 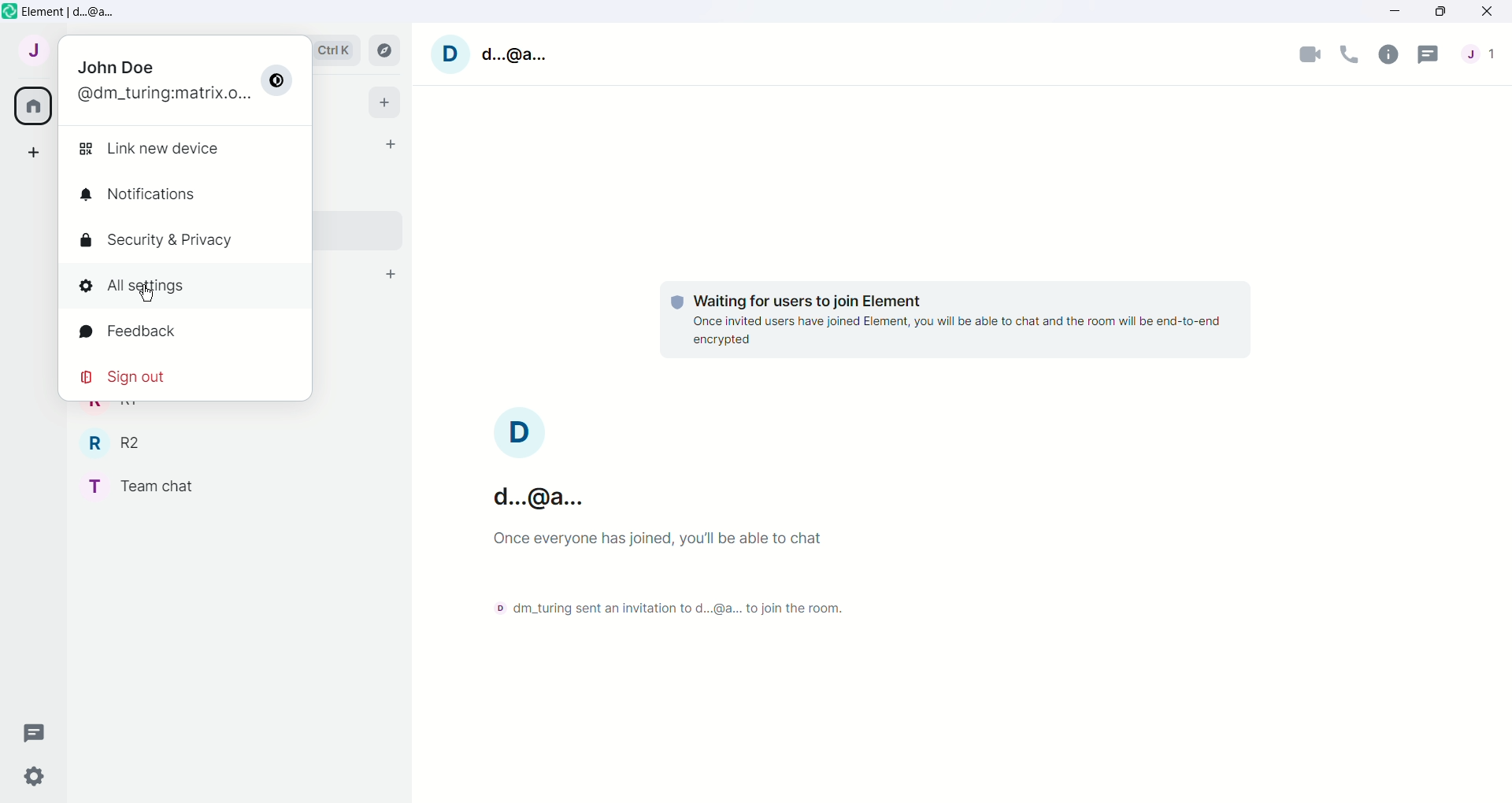 I want to click on Video call, so click(x=1310, y=56).